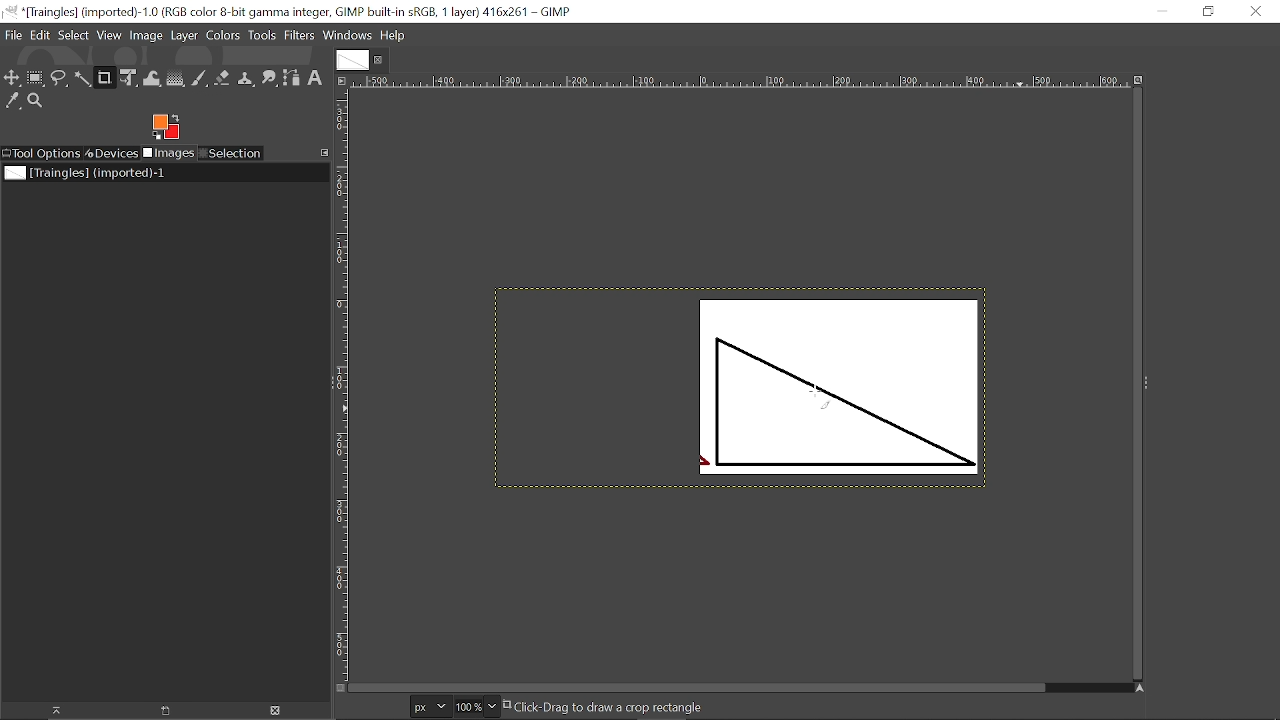  I want to click on File, so click(15, 35).